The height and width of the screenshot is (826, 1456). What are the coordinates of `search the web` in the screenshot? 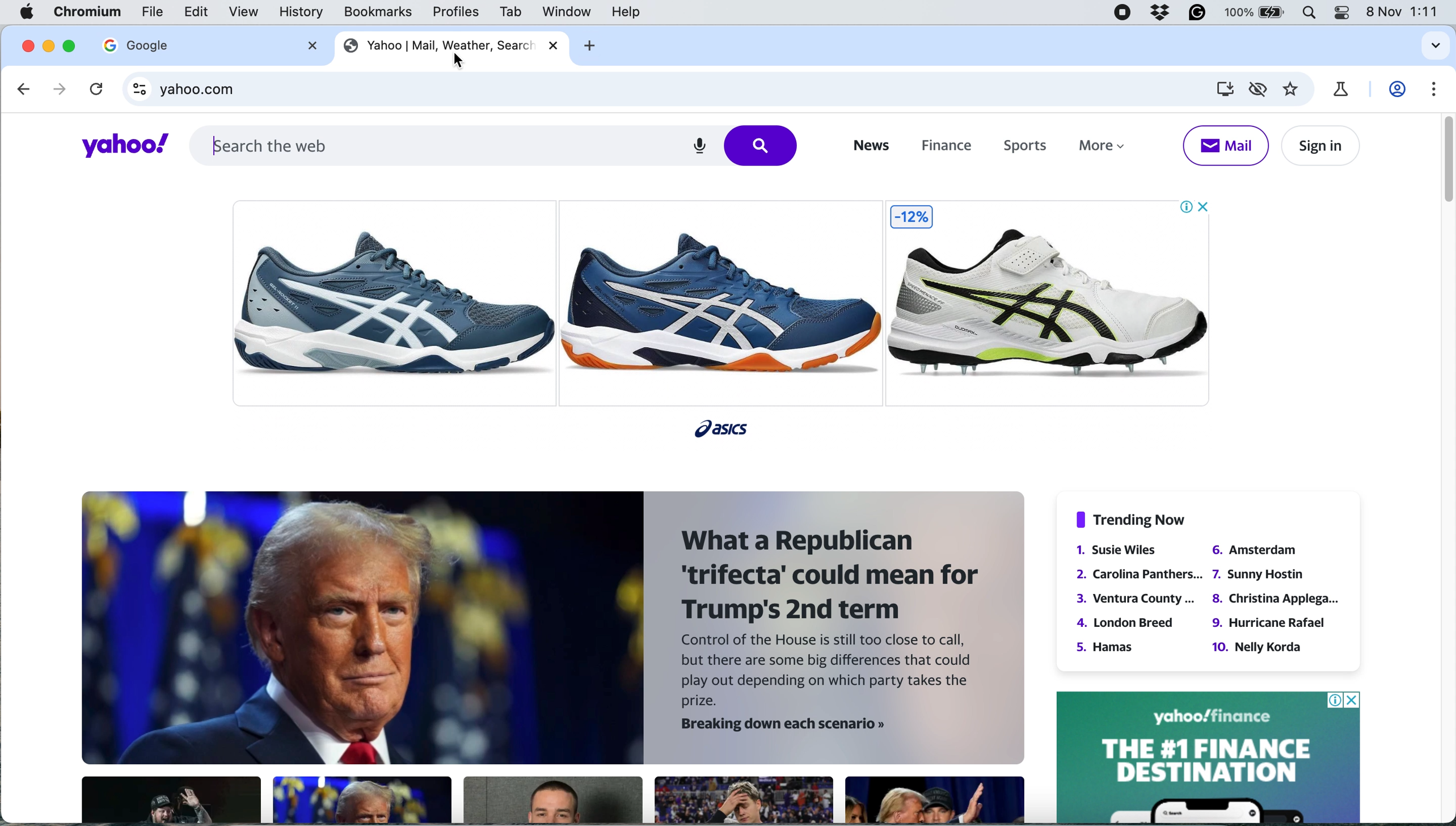 It's located at (495, 144).